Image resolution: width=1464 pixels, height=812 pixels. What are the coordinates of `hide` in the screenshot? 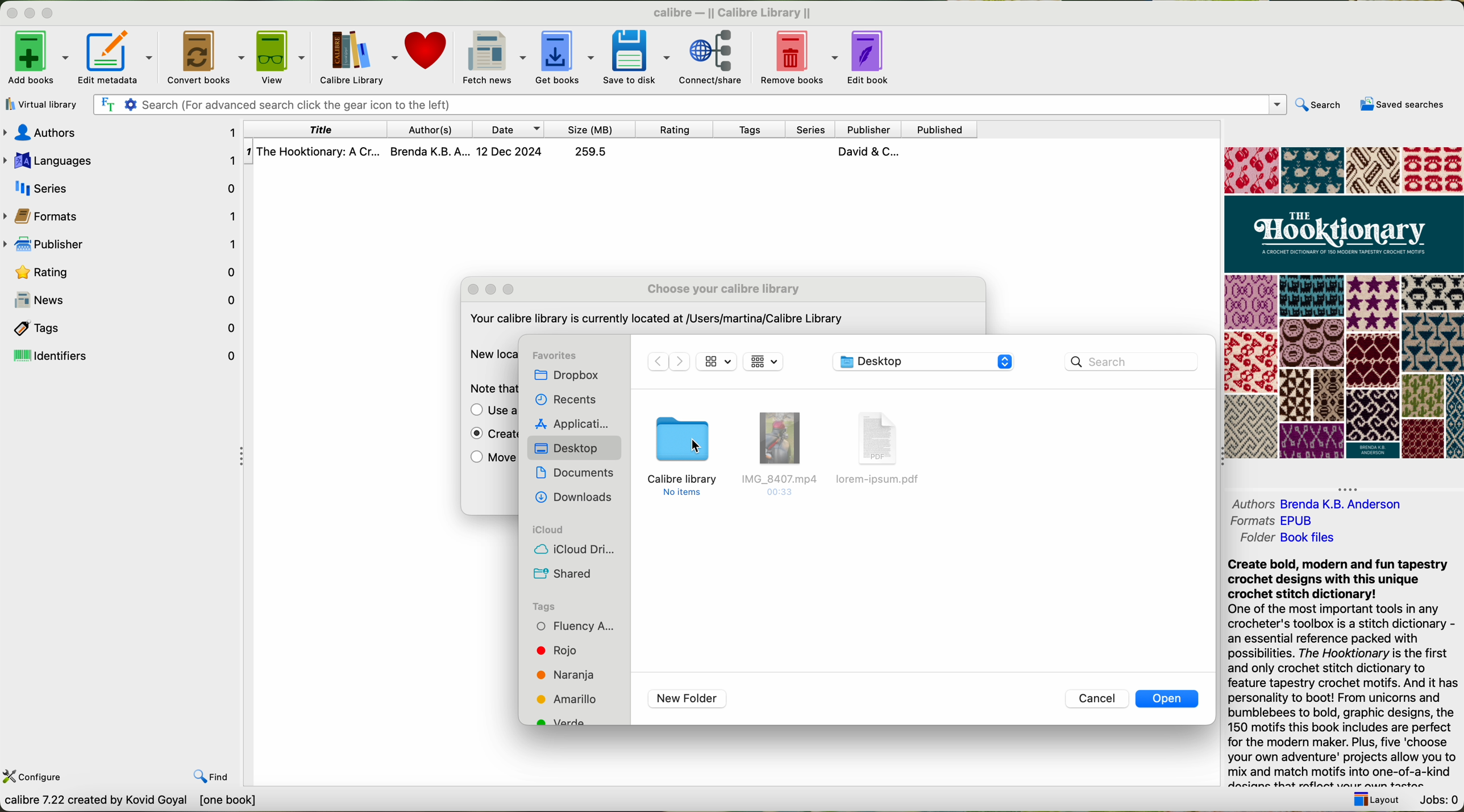 It's located at (1349, 487).